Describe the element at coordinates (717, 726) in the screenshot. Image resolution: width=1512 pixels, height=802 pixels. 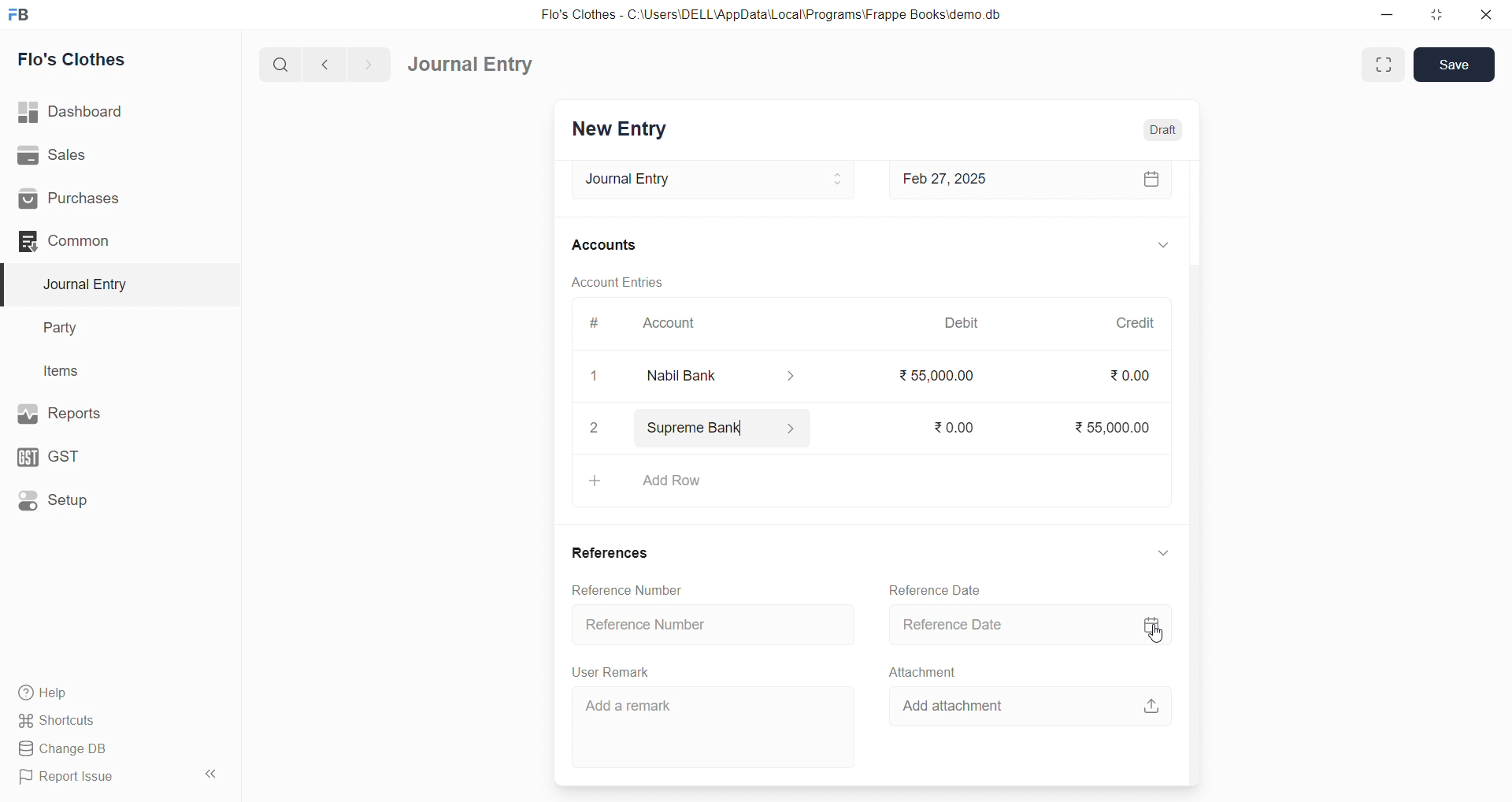
I see `Add a remark` at that location.